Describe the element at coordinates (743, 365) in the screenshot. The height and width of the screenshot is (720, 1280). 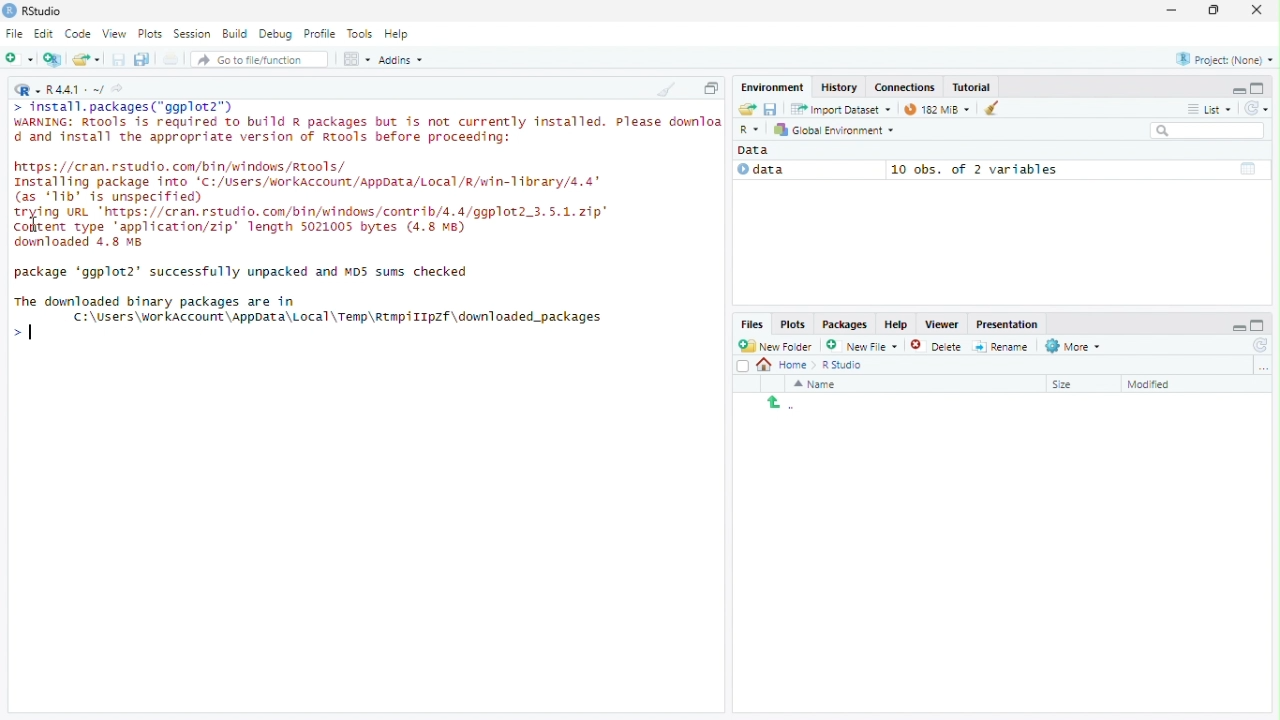
I see `Select all` at that location.